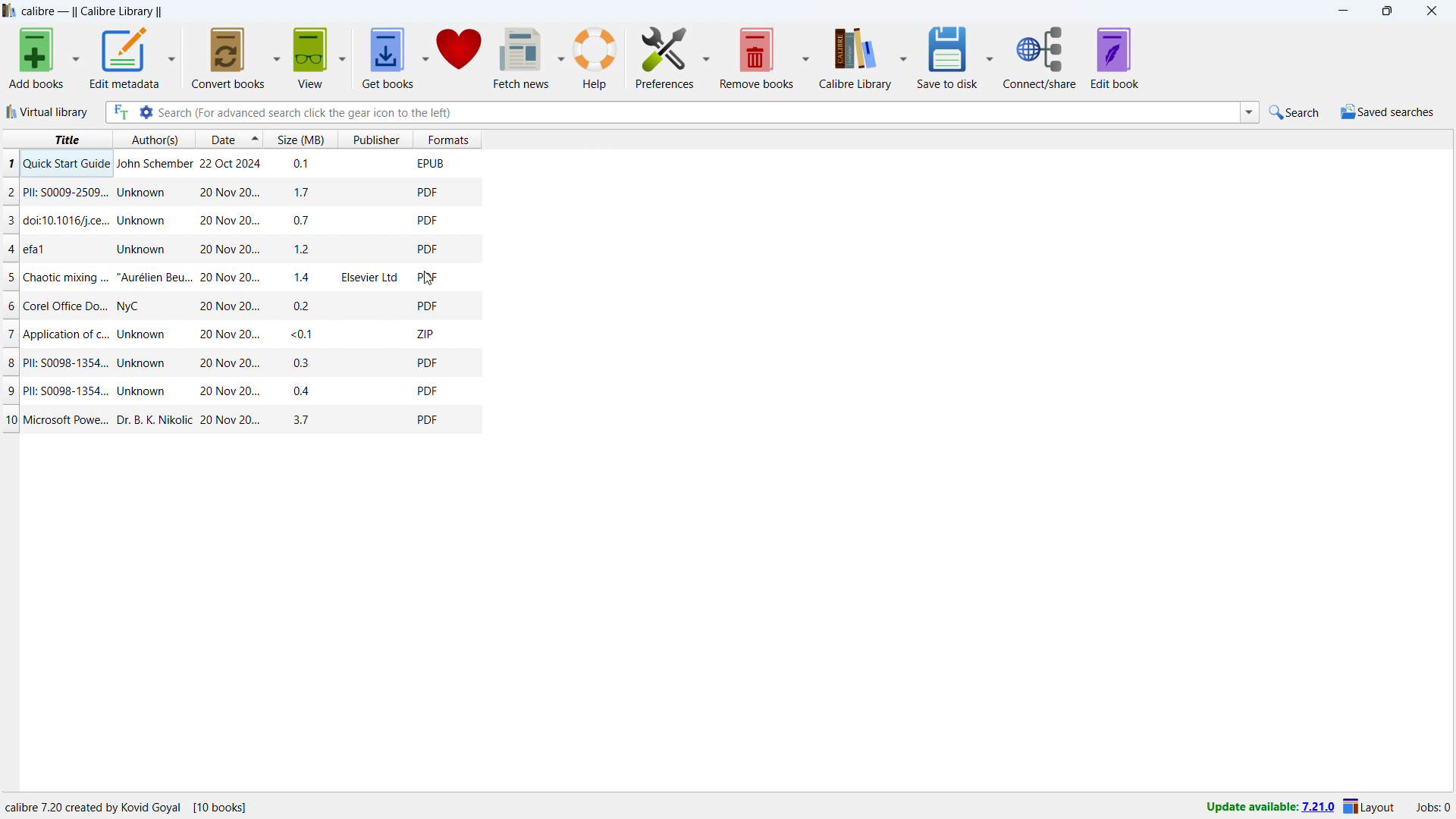 The width and height of the screenshot is (1456, 819). I want to click on 7 Application of c... Unknown 20 Nov 20... <0.1 ZIP, so click(267, 332).